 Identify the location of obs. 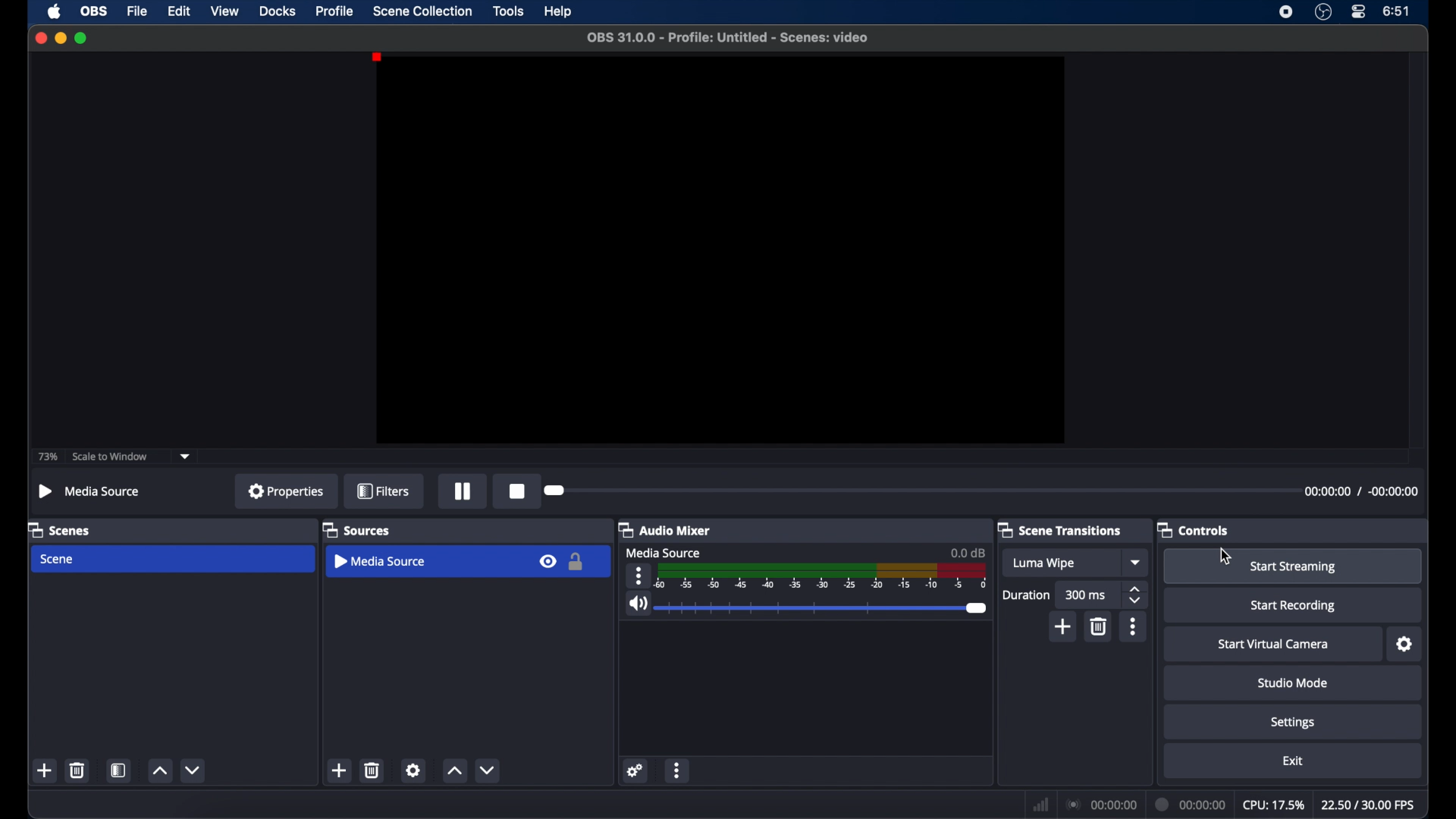
(96, 12).